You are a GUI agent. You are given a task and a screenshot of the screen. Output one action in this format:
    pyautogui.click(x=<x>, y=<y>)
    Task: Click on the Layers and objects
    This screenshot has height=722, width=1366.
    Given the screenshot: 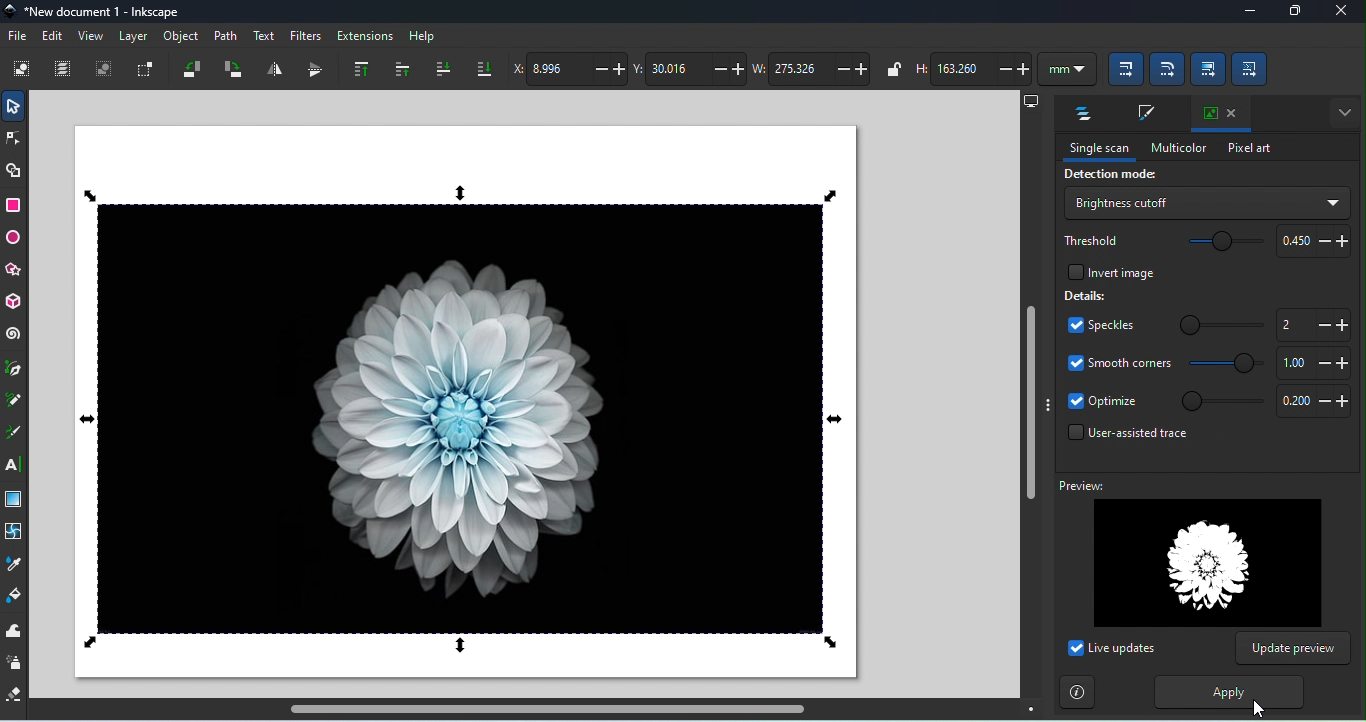 What is the action you would take?
    pyautogui.click(x=1080, y=114)
    